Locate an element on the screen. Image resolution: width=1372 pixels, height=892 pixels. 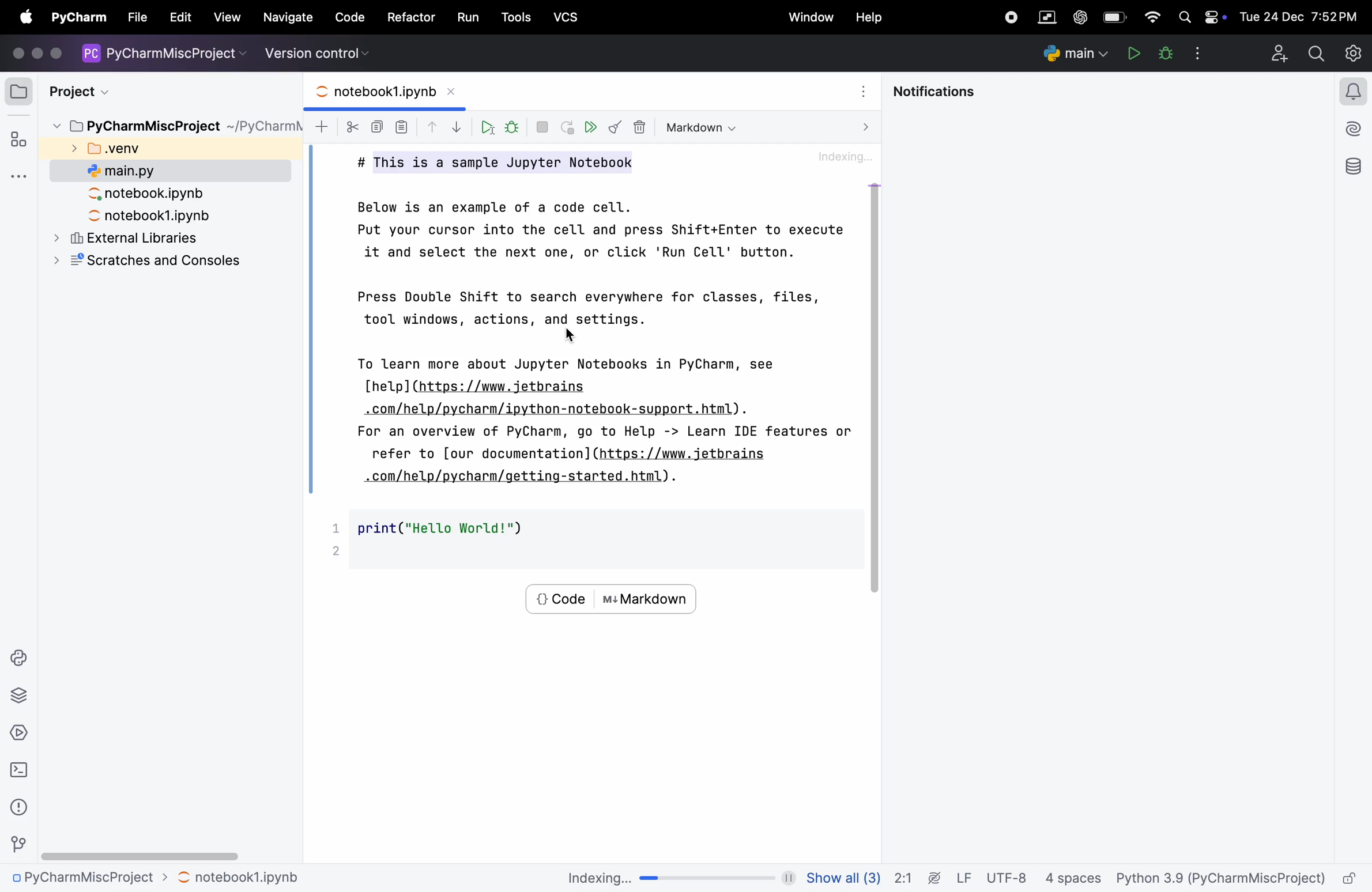
Below is an example of a code cell.
Put your cursor into the cell and press Shift+Enter to execute
it and select the next one, or click 'Run Cell' button.
Press Double Shift to search everywhere for classes, files,
tool windows, actions, and settings.
LS
To learn more about Jupyter Notebooks in PyCharm, see
[help] (https: //www.jetbrains
.com/help/pycharm/ipython-notebook-support.html).
For an overview of PyCharm, go to Help -> Learn IDE features or
refer to [our documentation] (https://www.jetbrains
.com/help/pycharm/getting-started.html). is located at coordinates (604, 338).